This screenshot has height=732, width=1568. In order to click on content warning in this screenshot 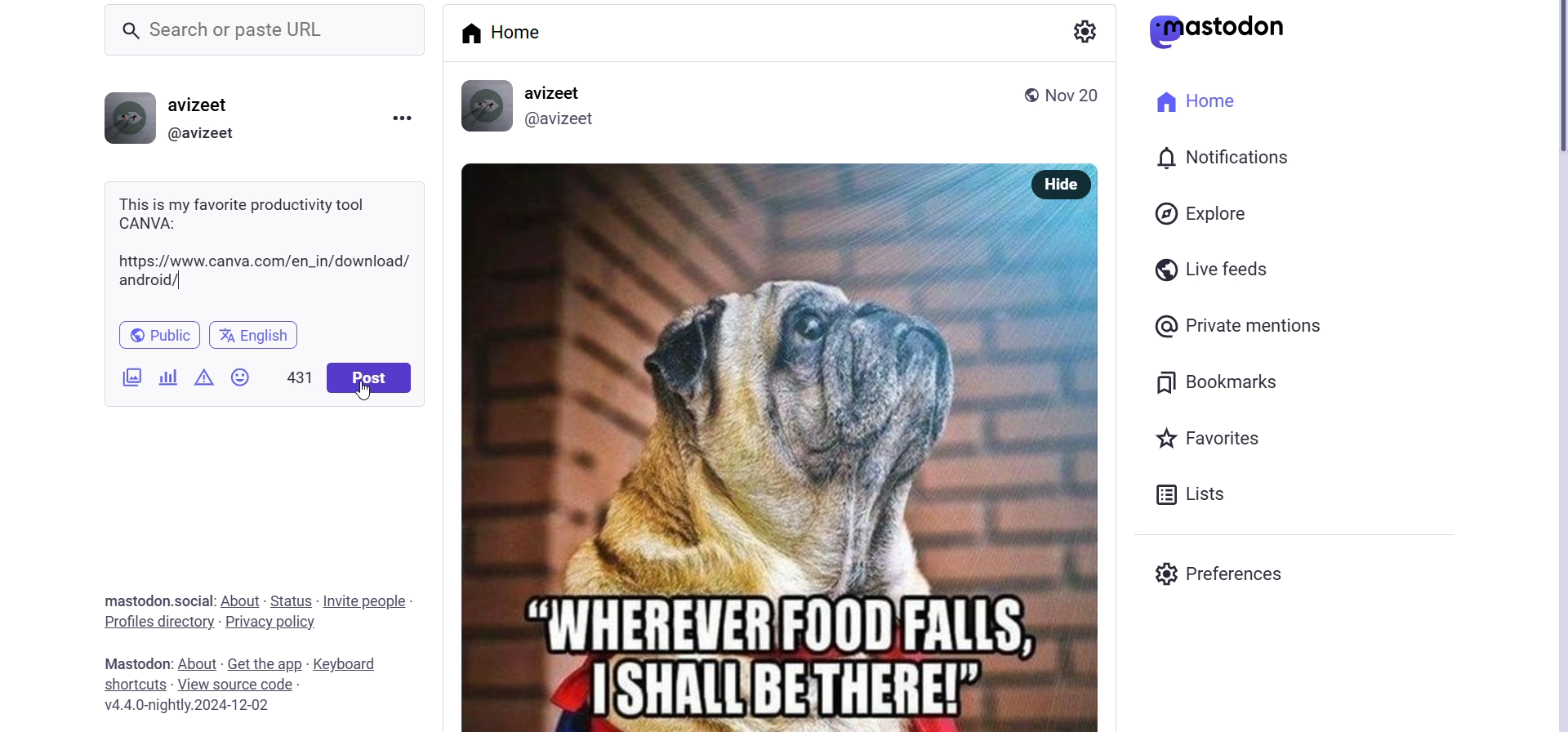, I will do `click(205, 372)`.